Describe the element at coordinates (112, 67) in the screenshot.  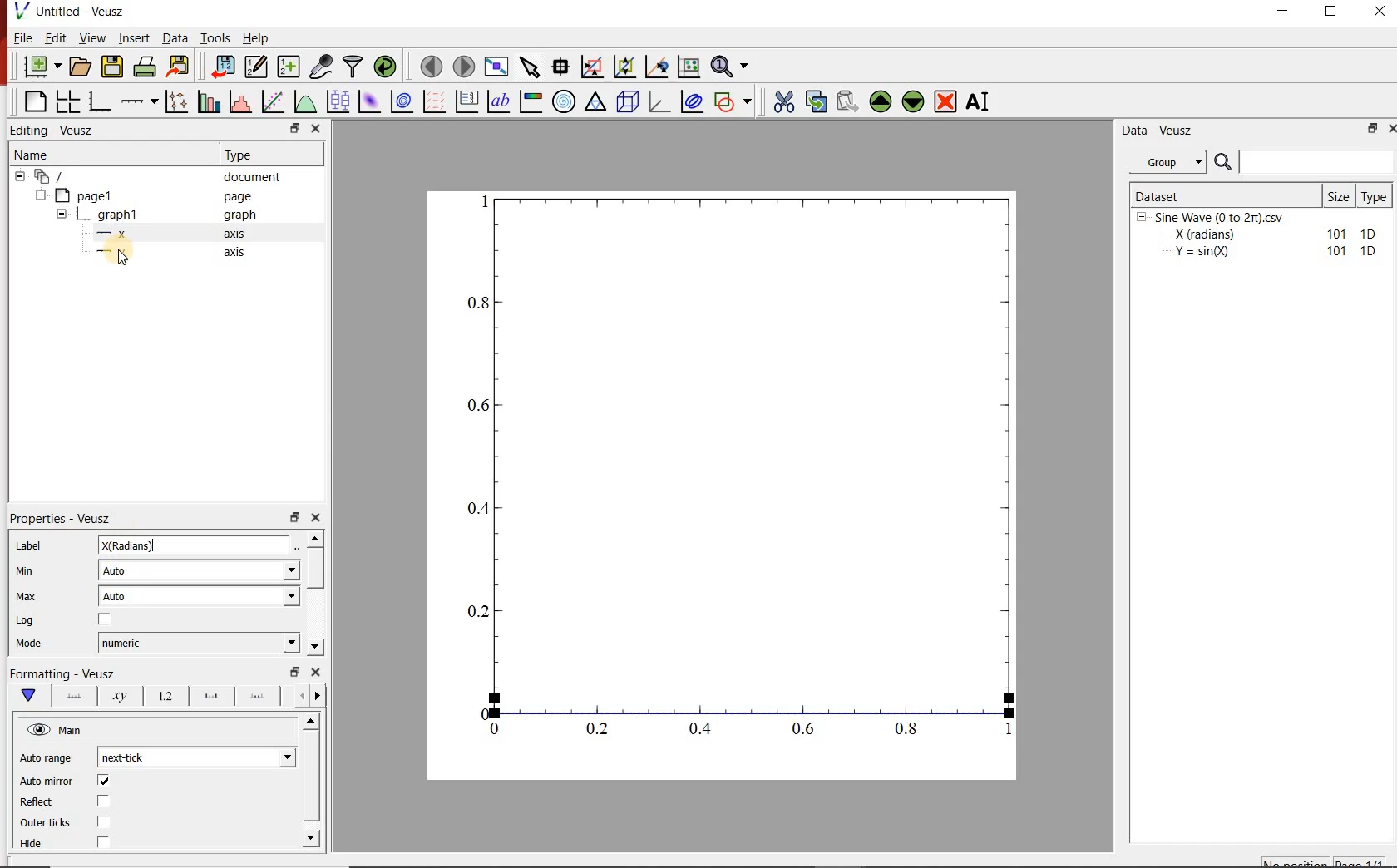
I see `save document` at that location.